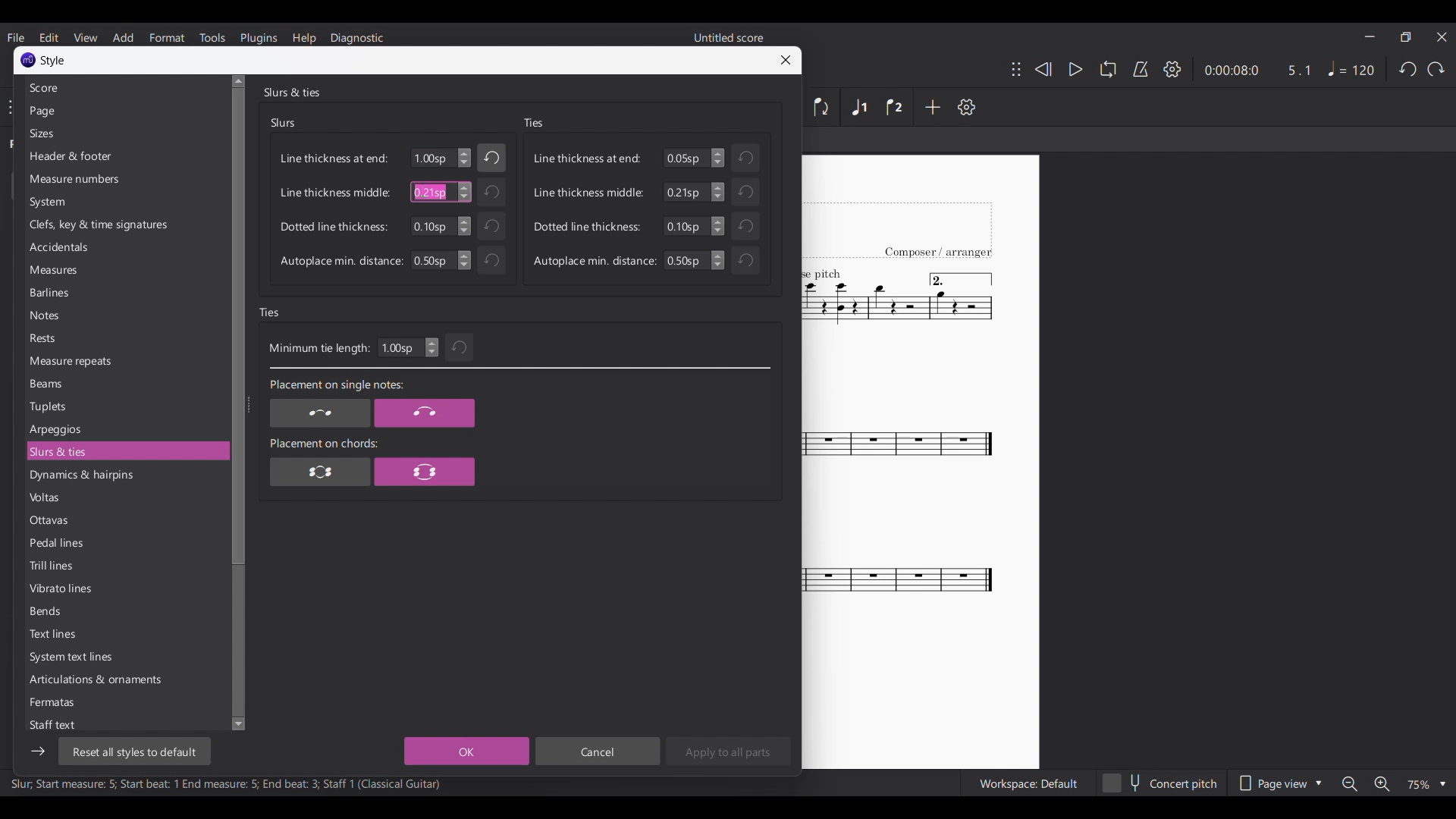  I want to click on Text lines, so click(125, 634).